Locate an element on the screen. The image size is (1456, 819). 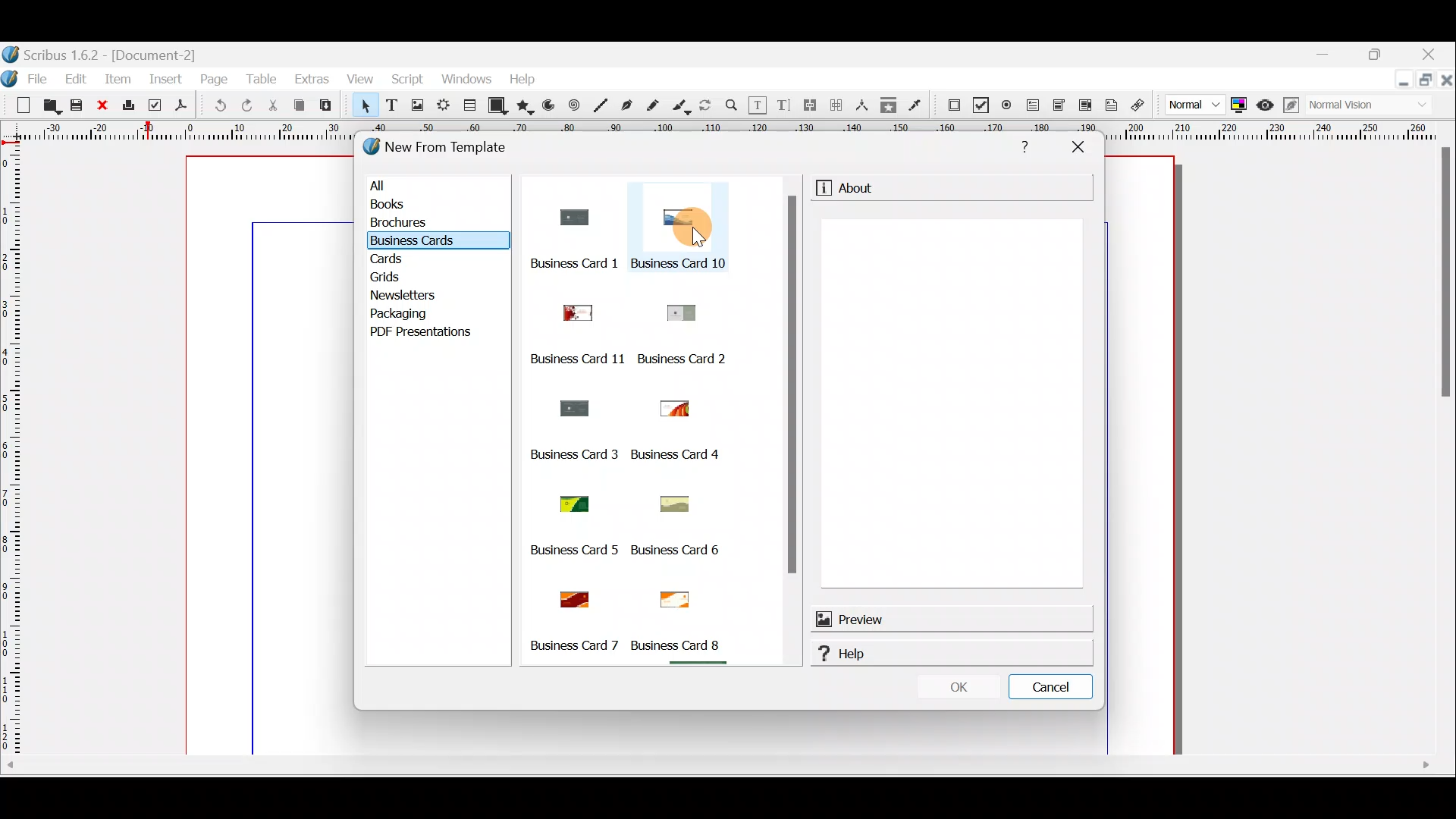
Scroll bar is located at coordinates (1445, 450).